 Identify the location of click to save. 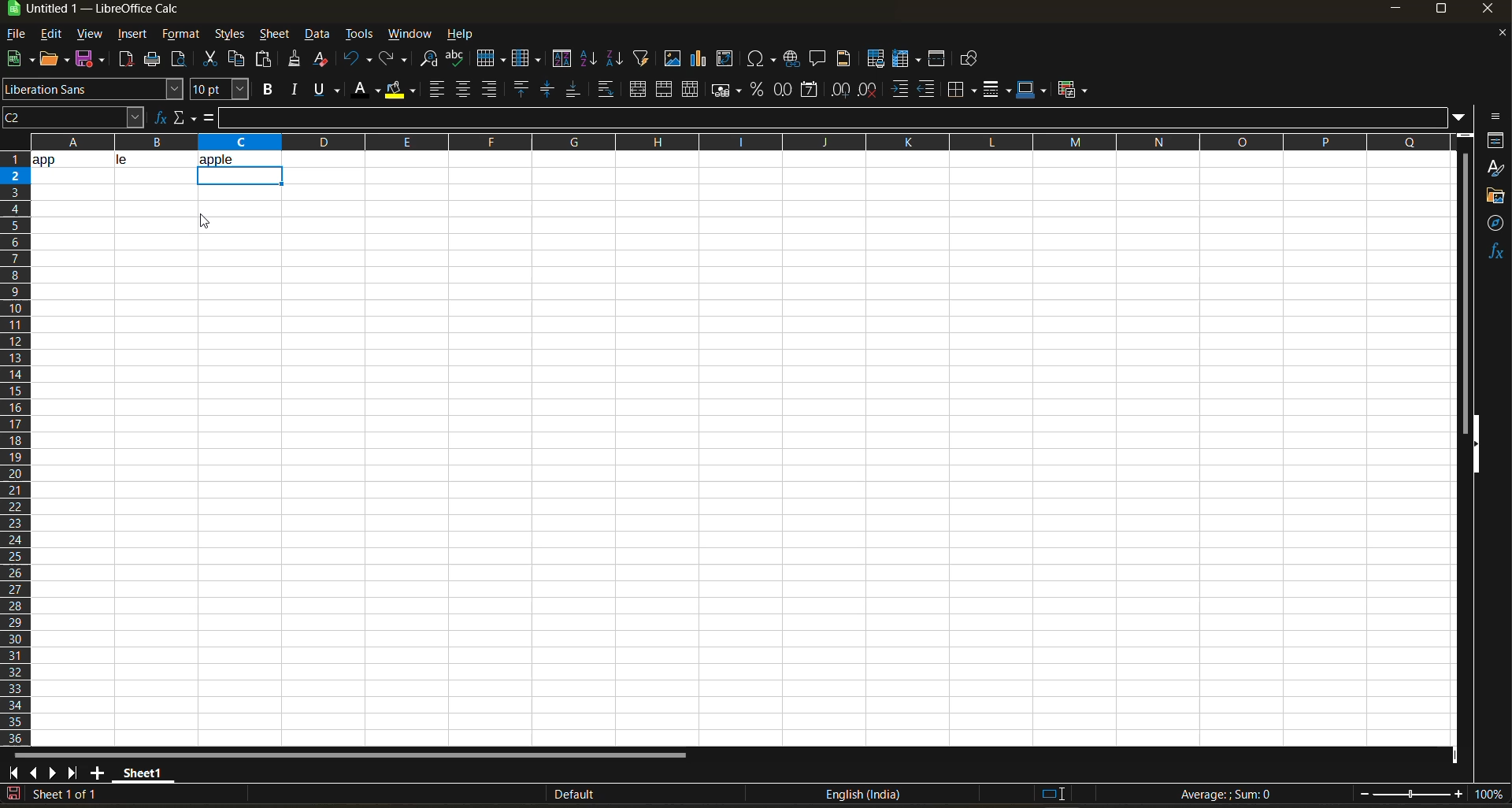
(13, 795).